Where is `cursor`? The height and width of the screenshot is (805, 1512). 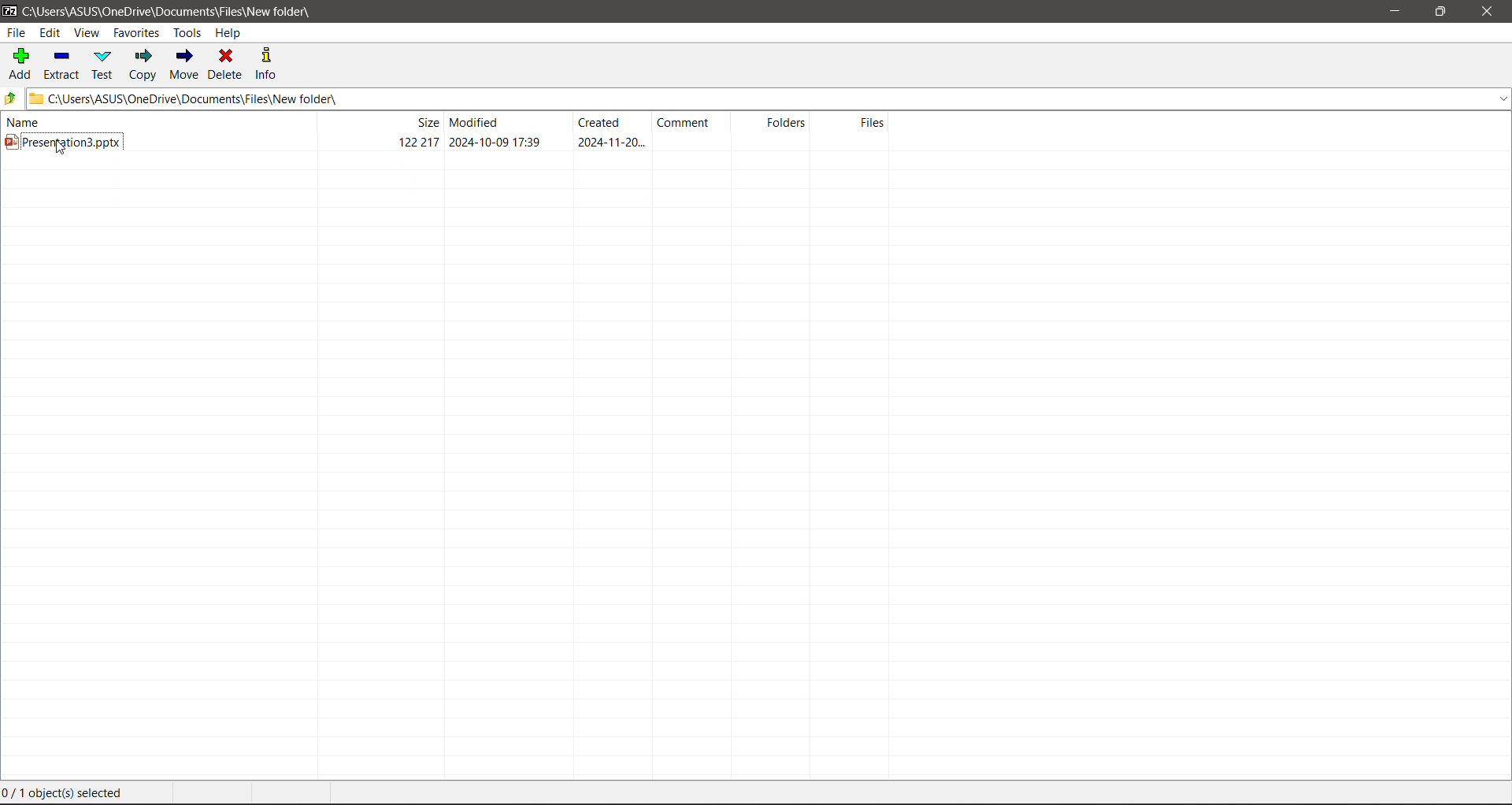 cursor is located at coordinates (62, 153).